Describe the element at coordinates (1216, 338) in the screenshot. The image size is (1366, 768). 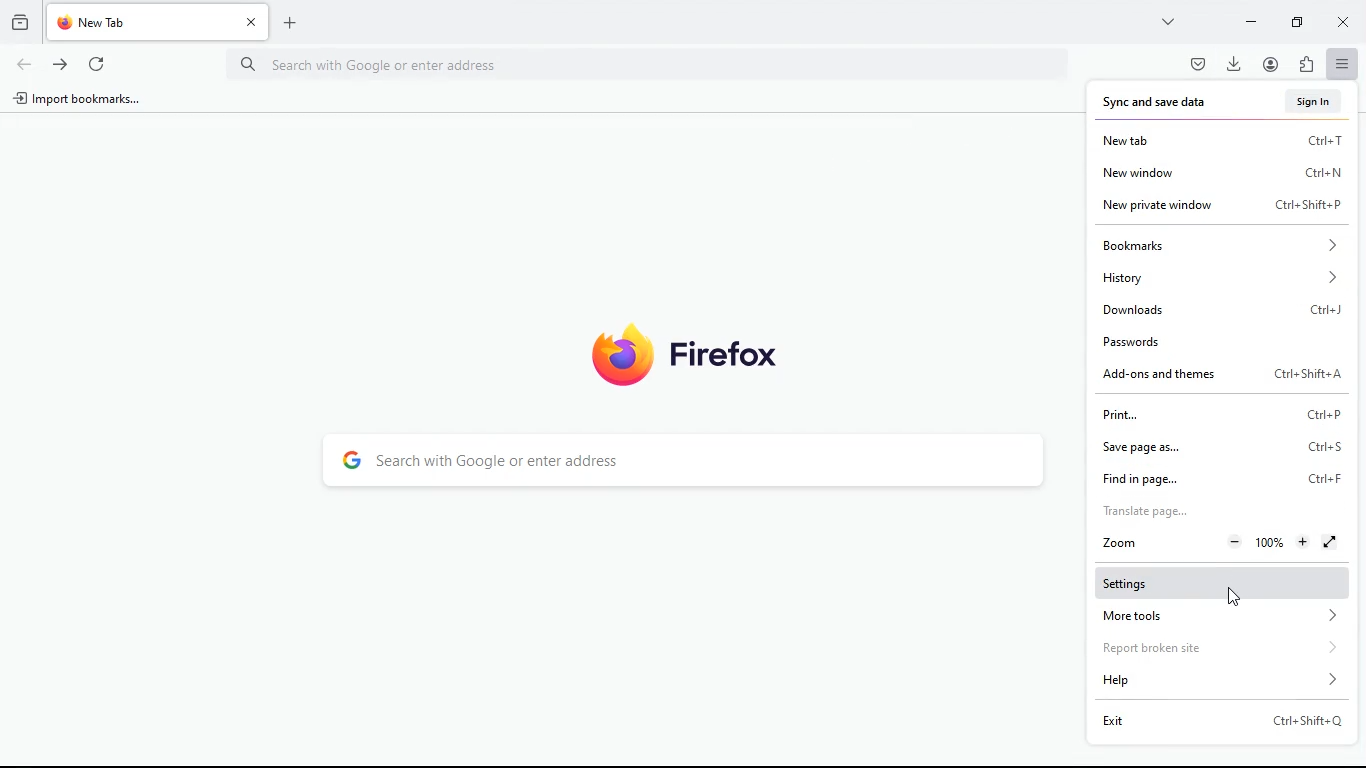
I see `passwords` at that location.